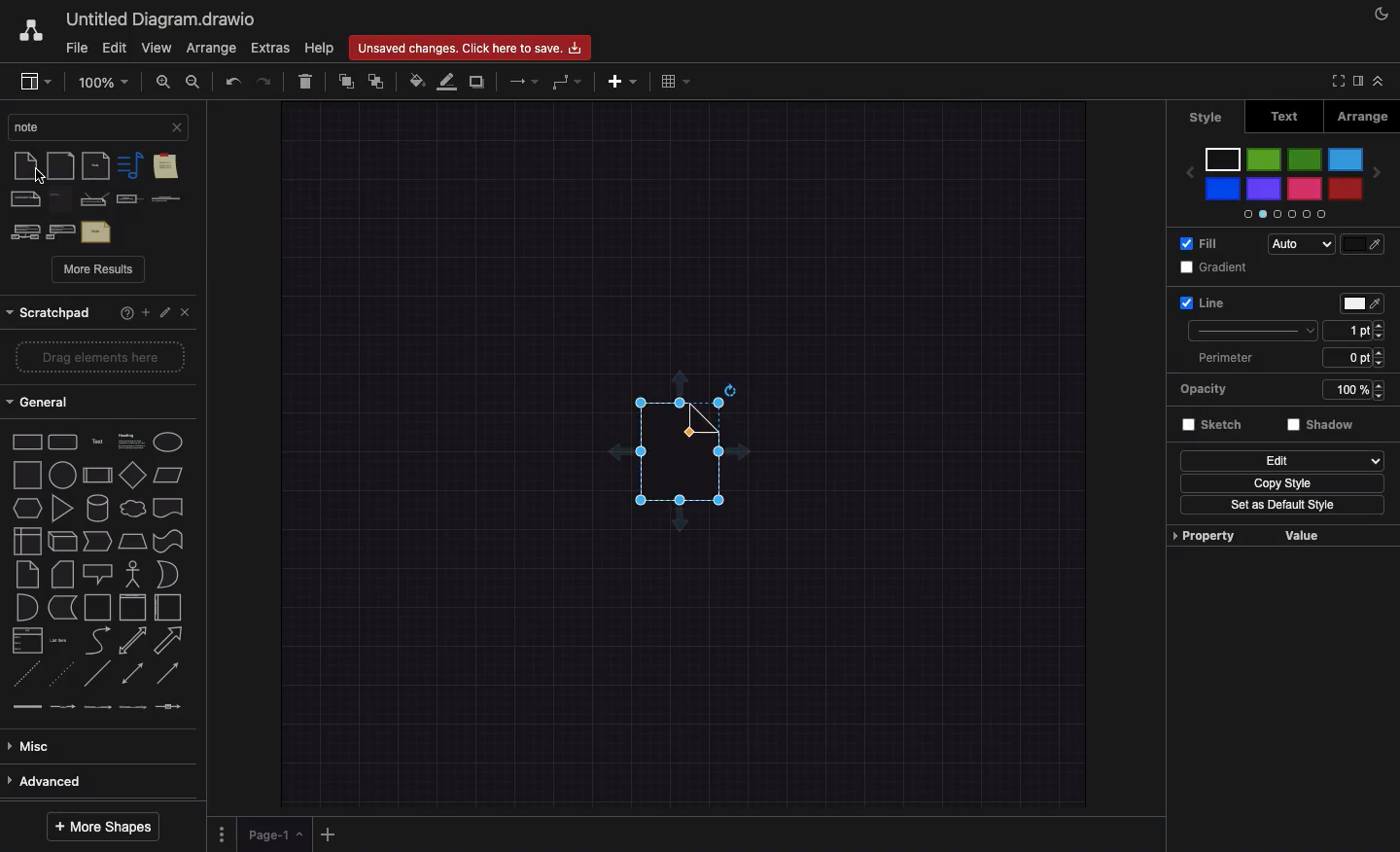 This screenshot has height=852, width=1400. Describe the element at coordinates (63, 712) in the screenshot. I see `connector with label` at that location.